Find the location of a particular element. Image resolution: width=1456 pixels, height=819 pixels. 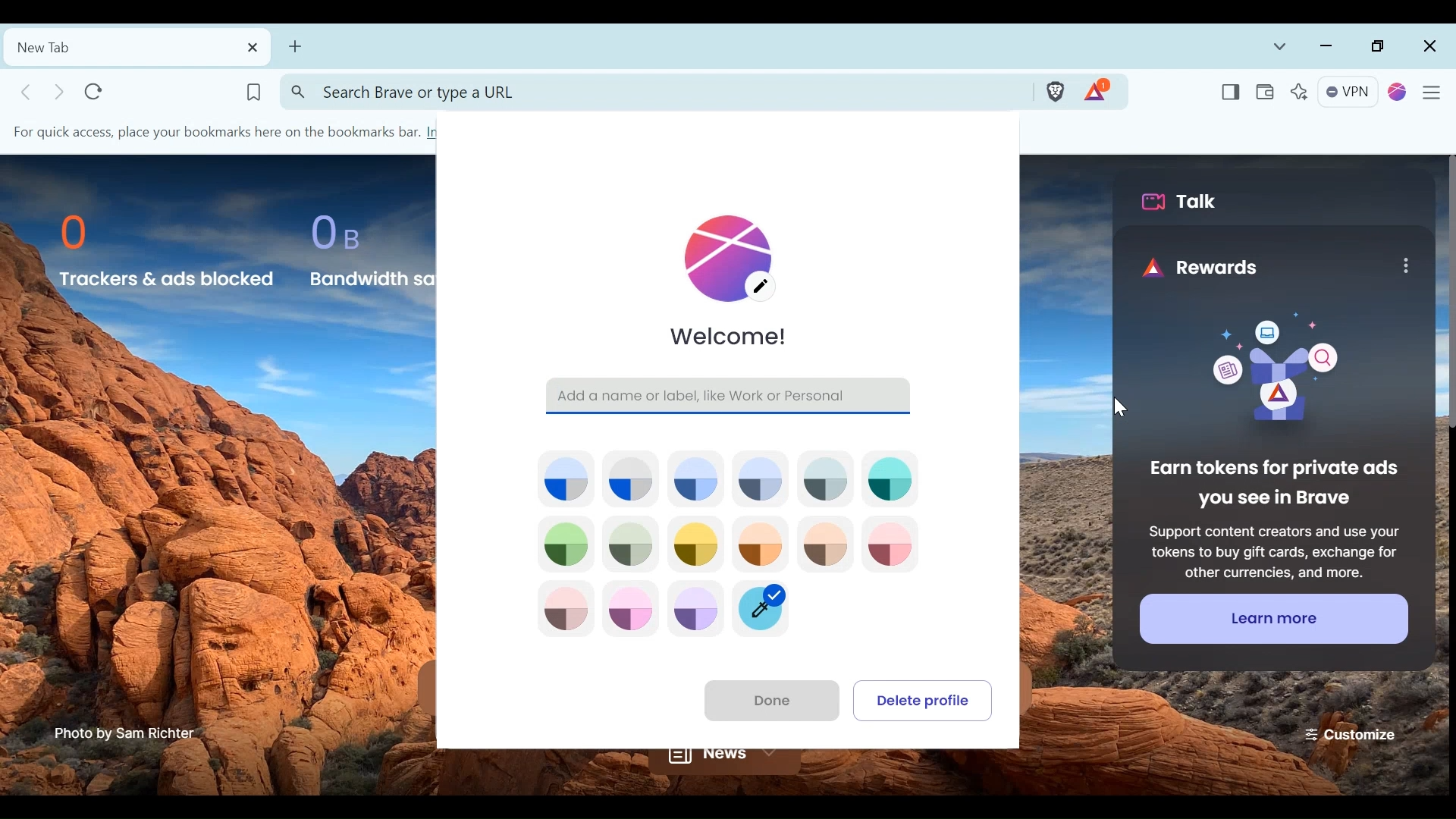

Click to go to forward is located at coordinates (61, 92).